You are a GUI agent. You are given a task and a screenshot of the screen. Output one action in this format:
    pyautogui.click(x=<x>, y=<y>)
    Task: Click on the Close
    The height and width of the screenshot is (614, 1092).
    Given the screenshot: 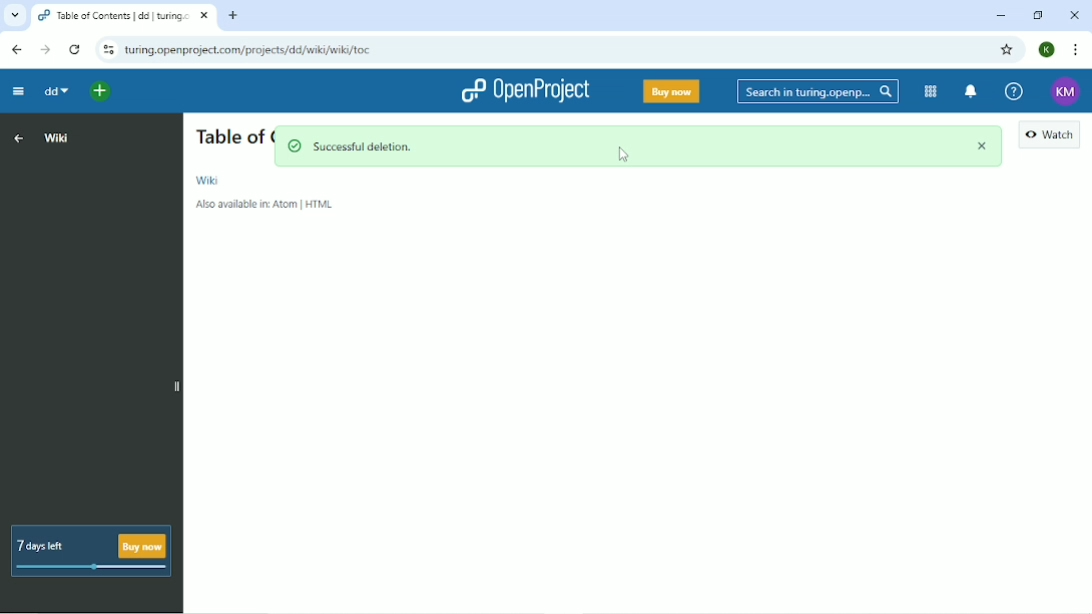 What is the action you would take?
    pyautogui.click(x=1072, y=15)
    